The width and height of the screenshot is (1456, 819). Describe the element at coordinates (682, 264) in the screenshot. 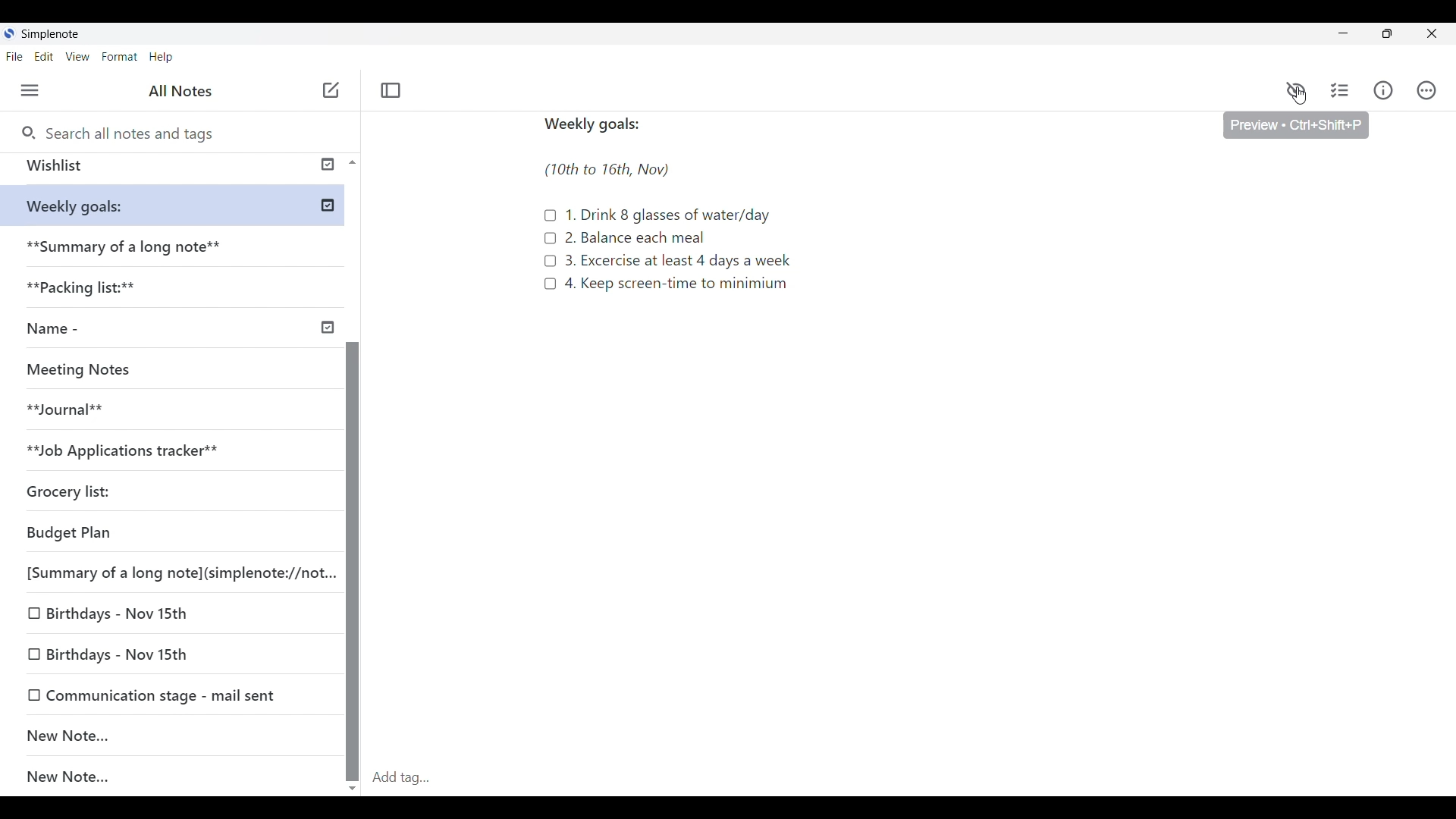

I see `3. Excercise at least 4 days a week` at that location.